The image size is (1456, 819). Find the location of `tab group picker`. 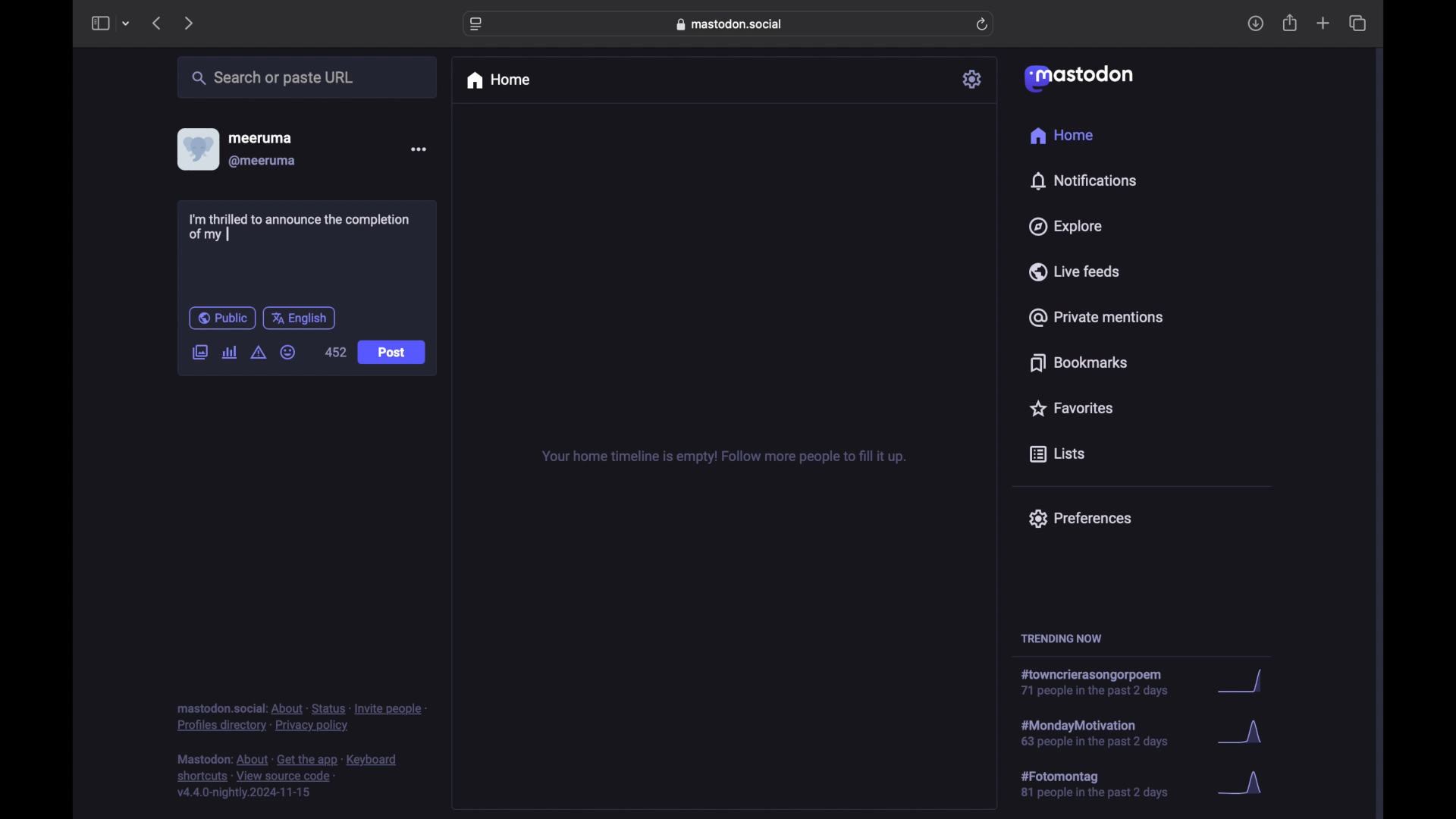

tab group picker is located at coordinates (127, 23).